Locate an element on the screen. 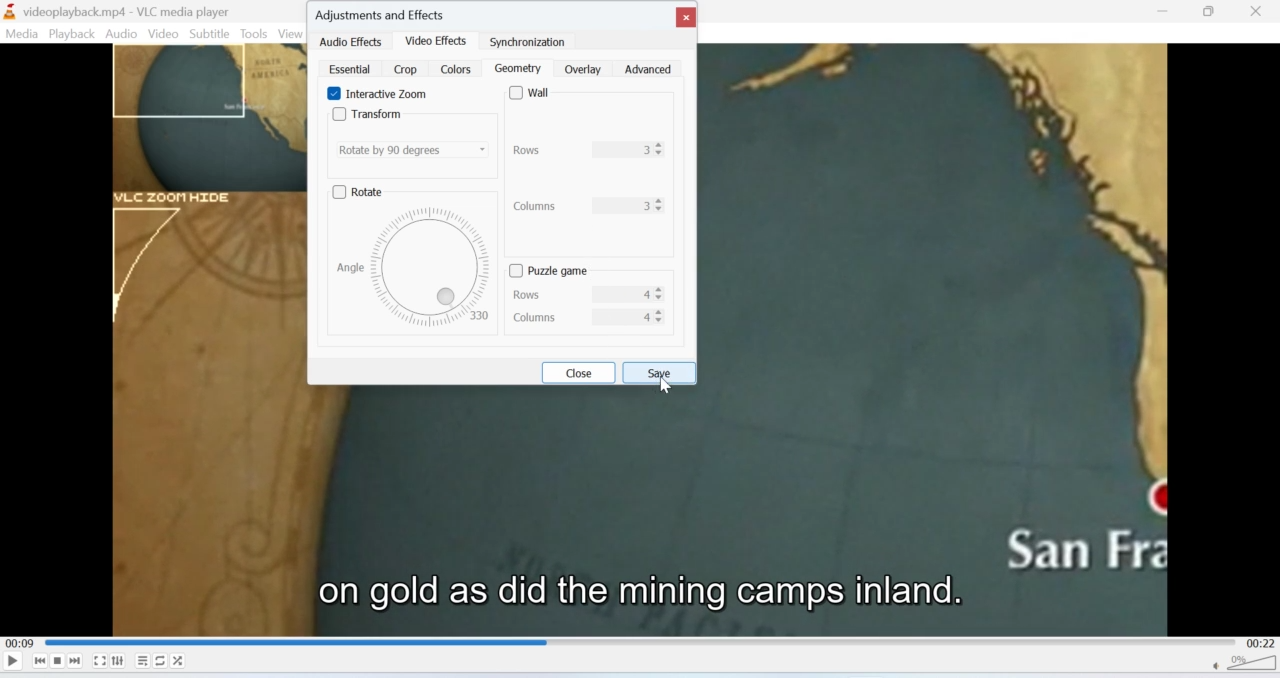 This screenshot has width=1280, height=678. 00:09 is located at coordinates (18, 644).